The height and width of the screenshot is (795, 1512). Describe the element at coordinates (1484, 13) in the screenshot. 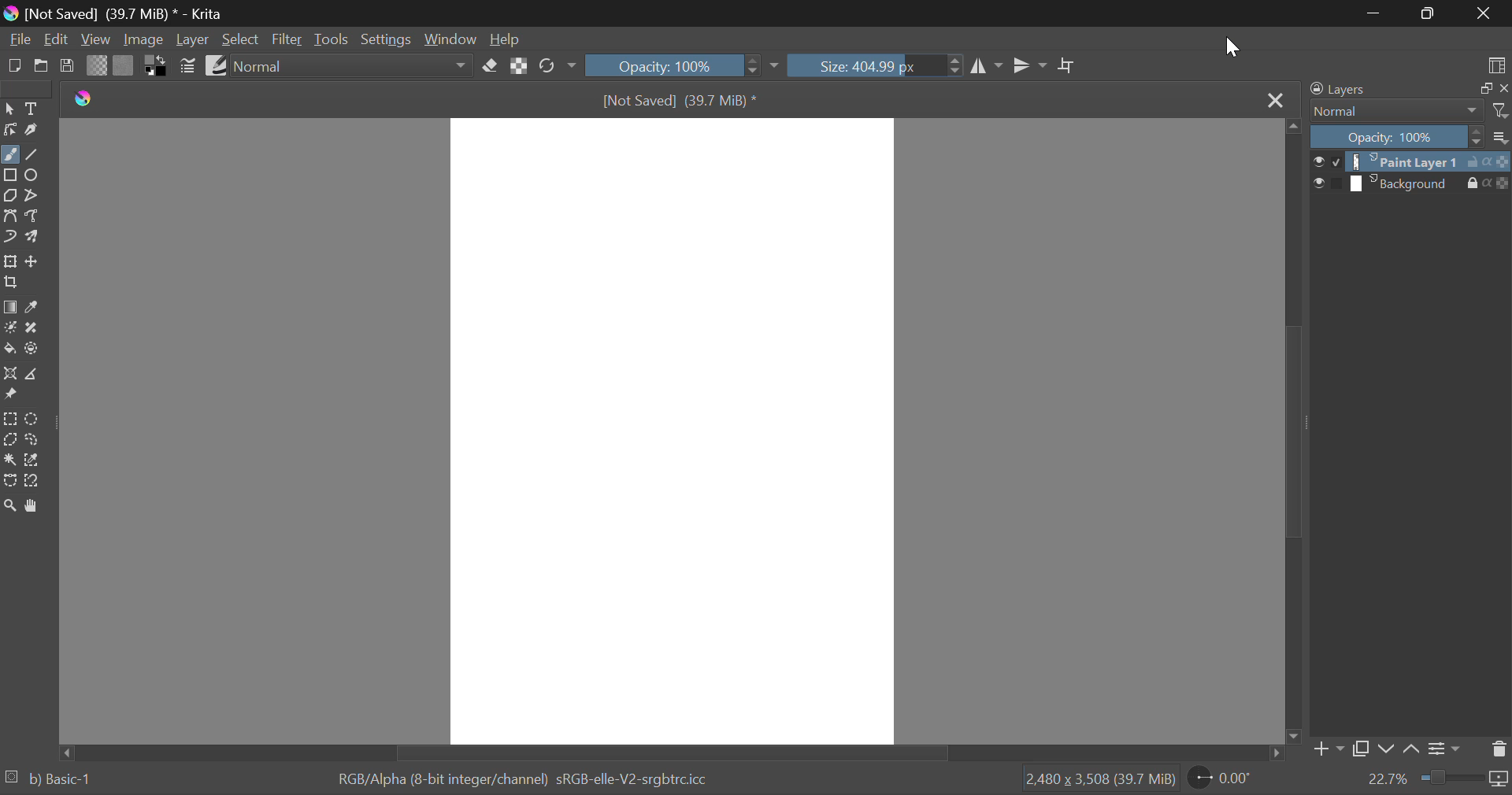

I see `Close` at that location.